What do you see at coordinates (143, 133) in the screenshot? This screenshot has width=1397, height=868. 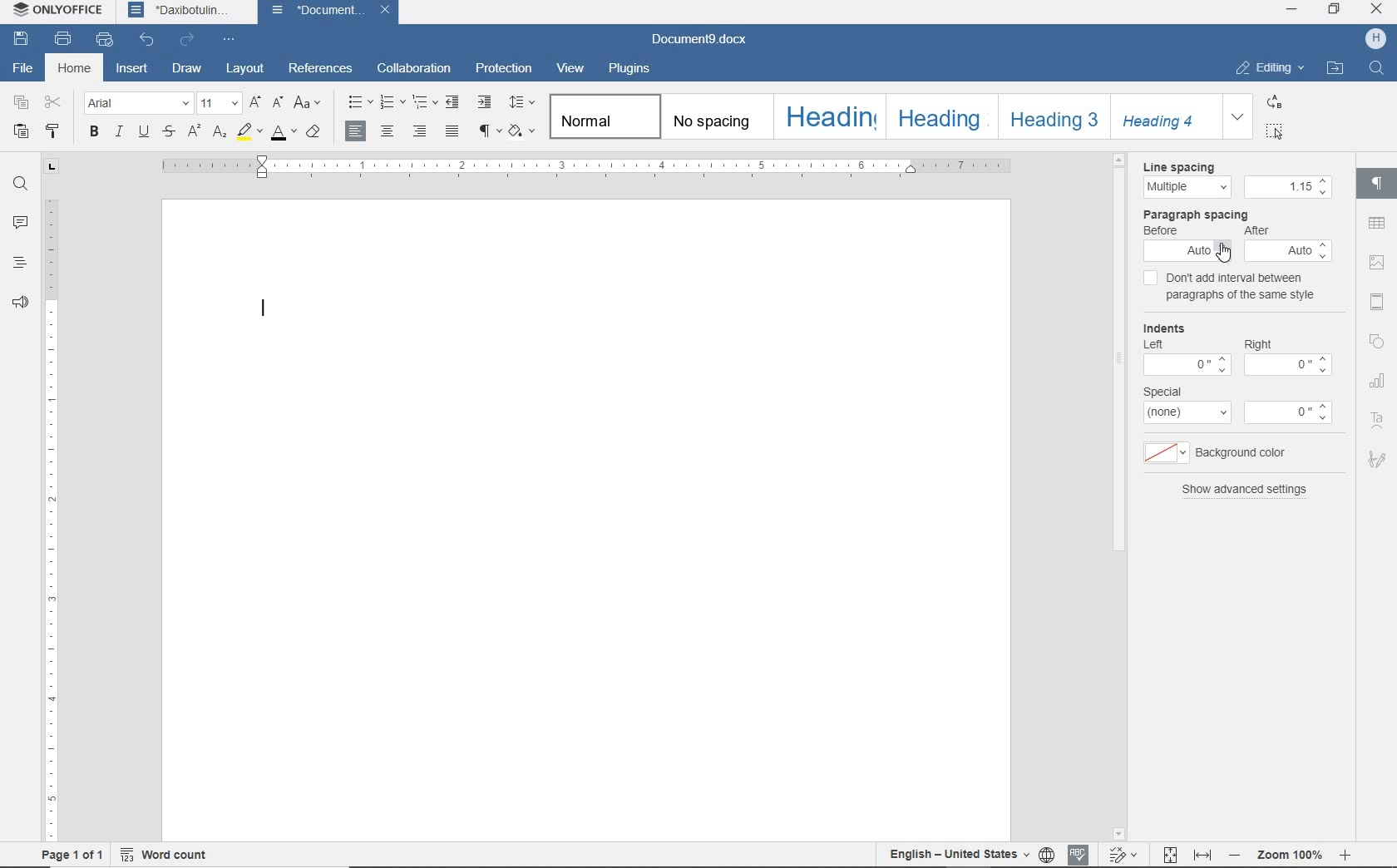 I see `underline` at bounding box center [143, 133].